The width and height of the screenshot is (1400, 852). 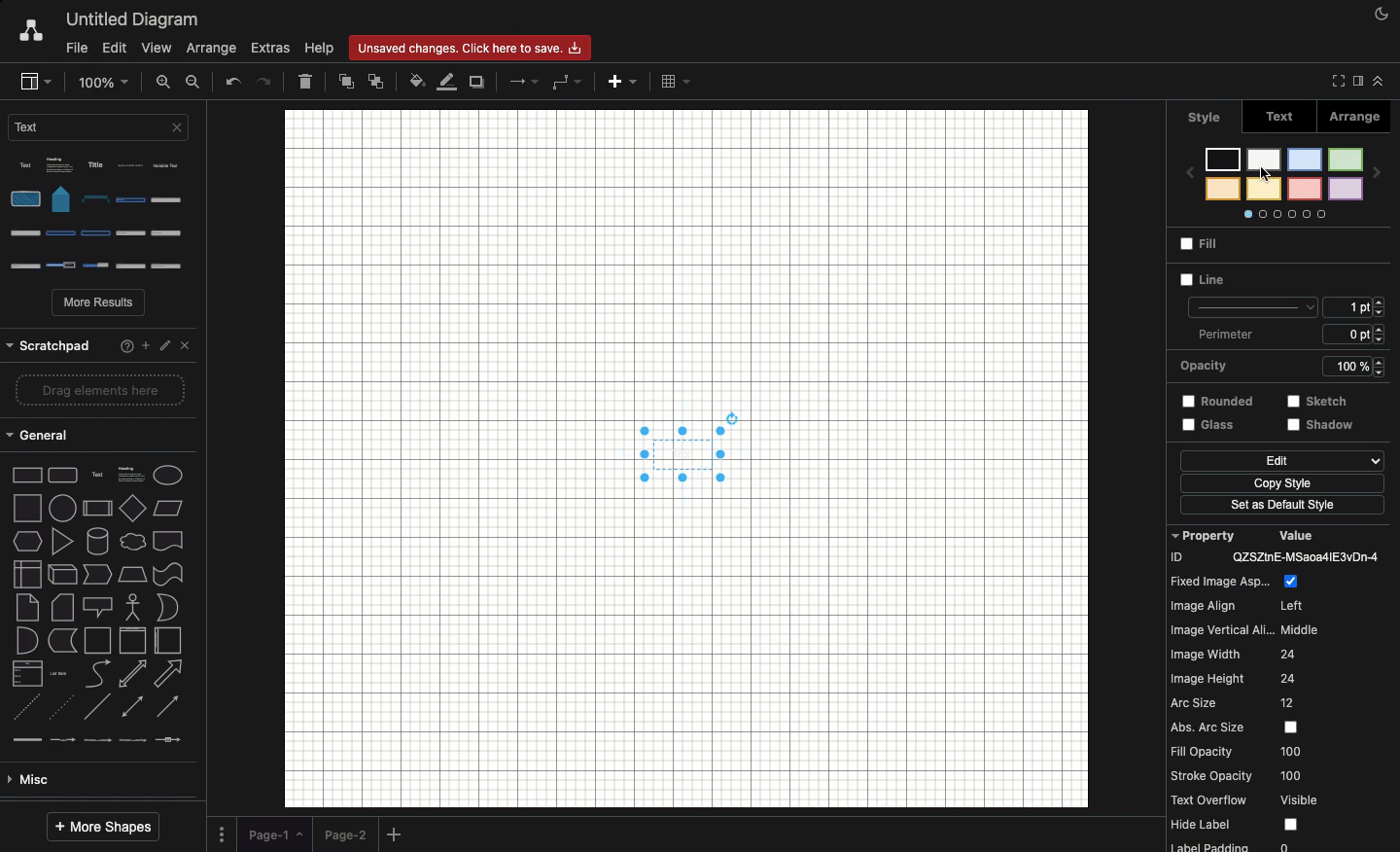 I want to click on Text, so click(x=102, y=132).